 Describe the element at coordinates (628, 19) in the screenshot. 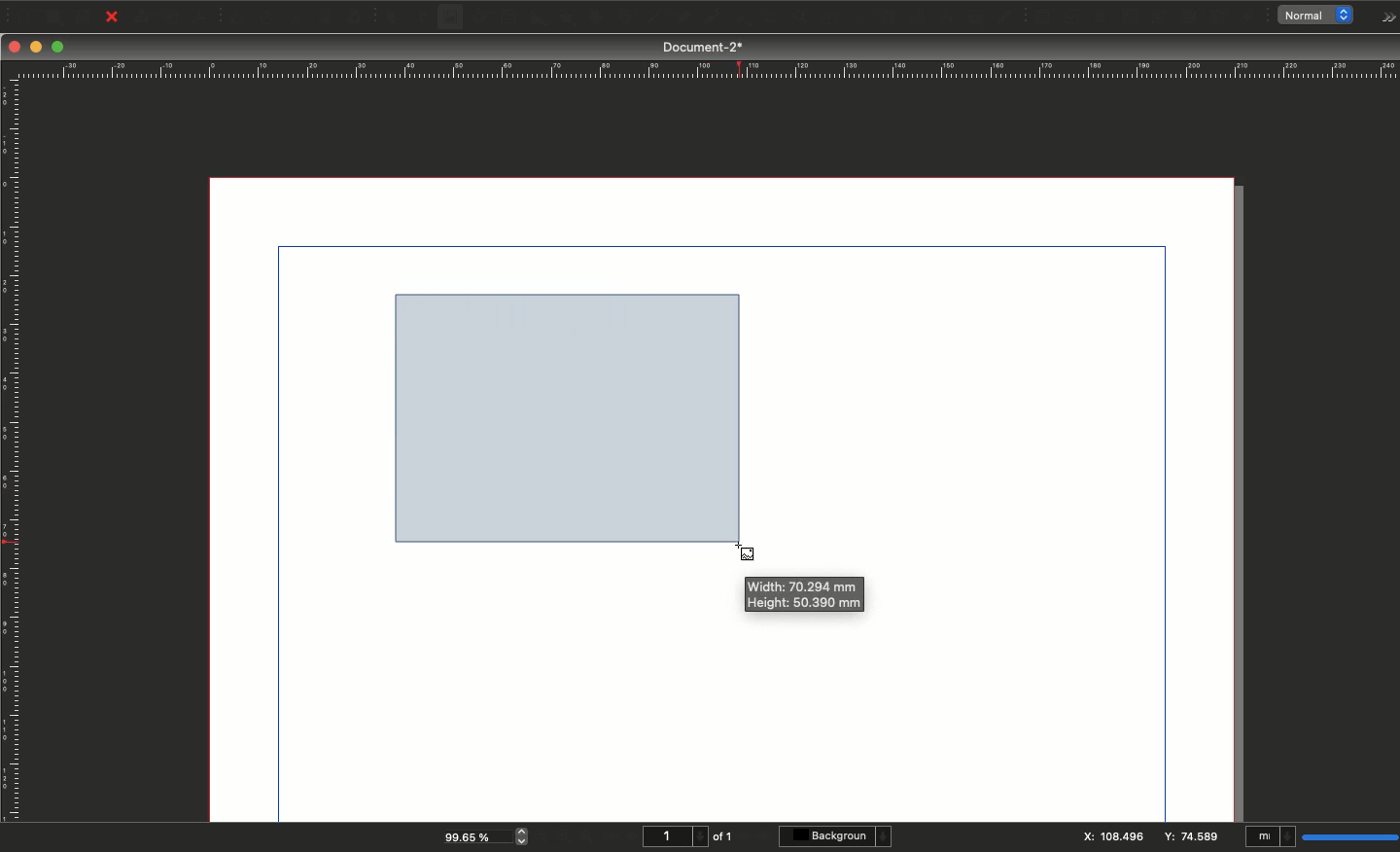

I see `Spiral` at that location.